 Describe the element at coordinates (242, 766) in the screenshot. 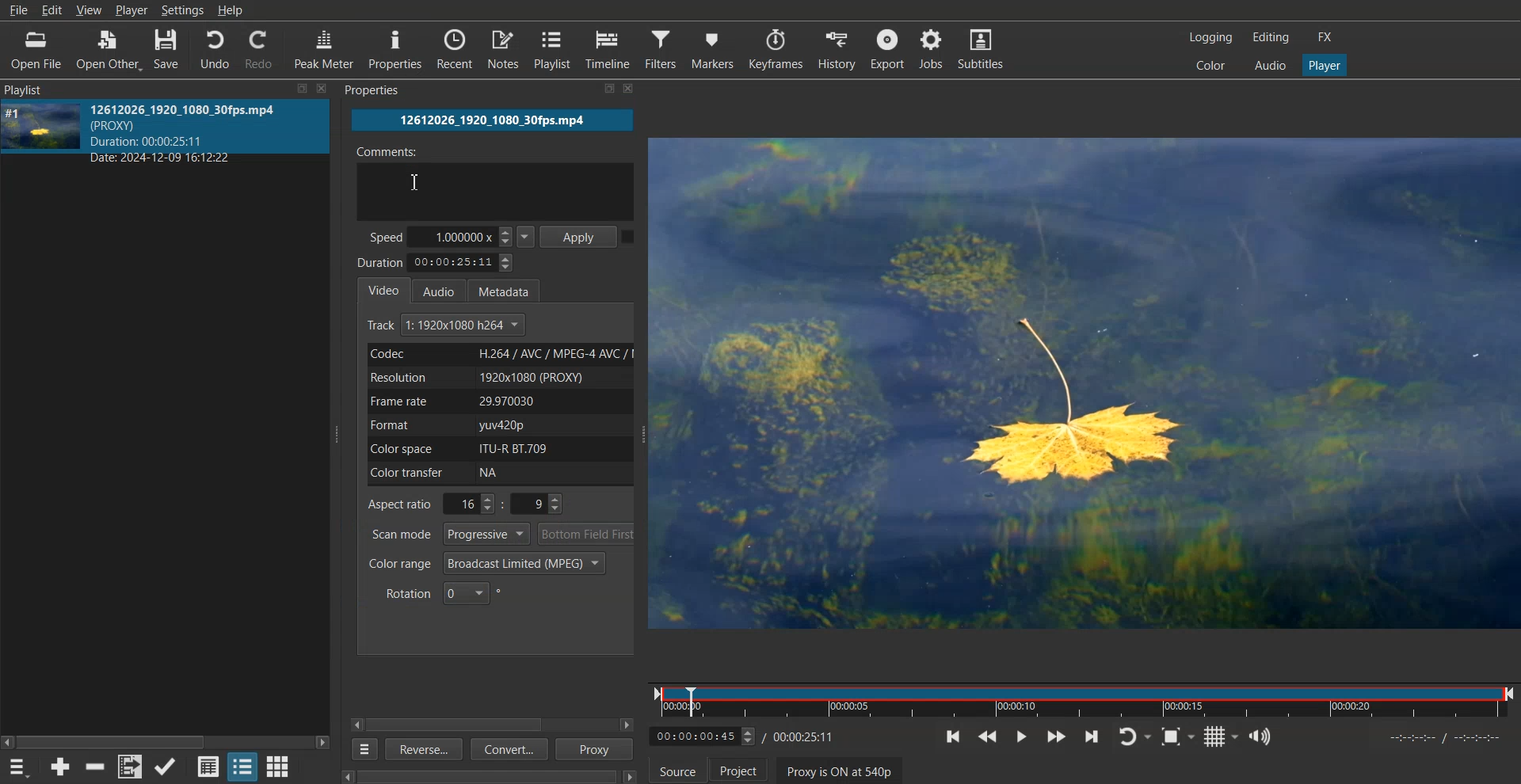

I see `View as tile` at that location.